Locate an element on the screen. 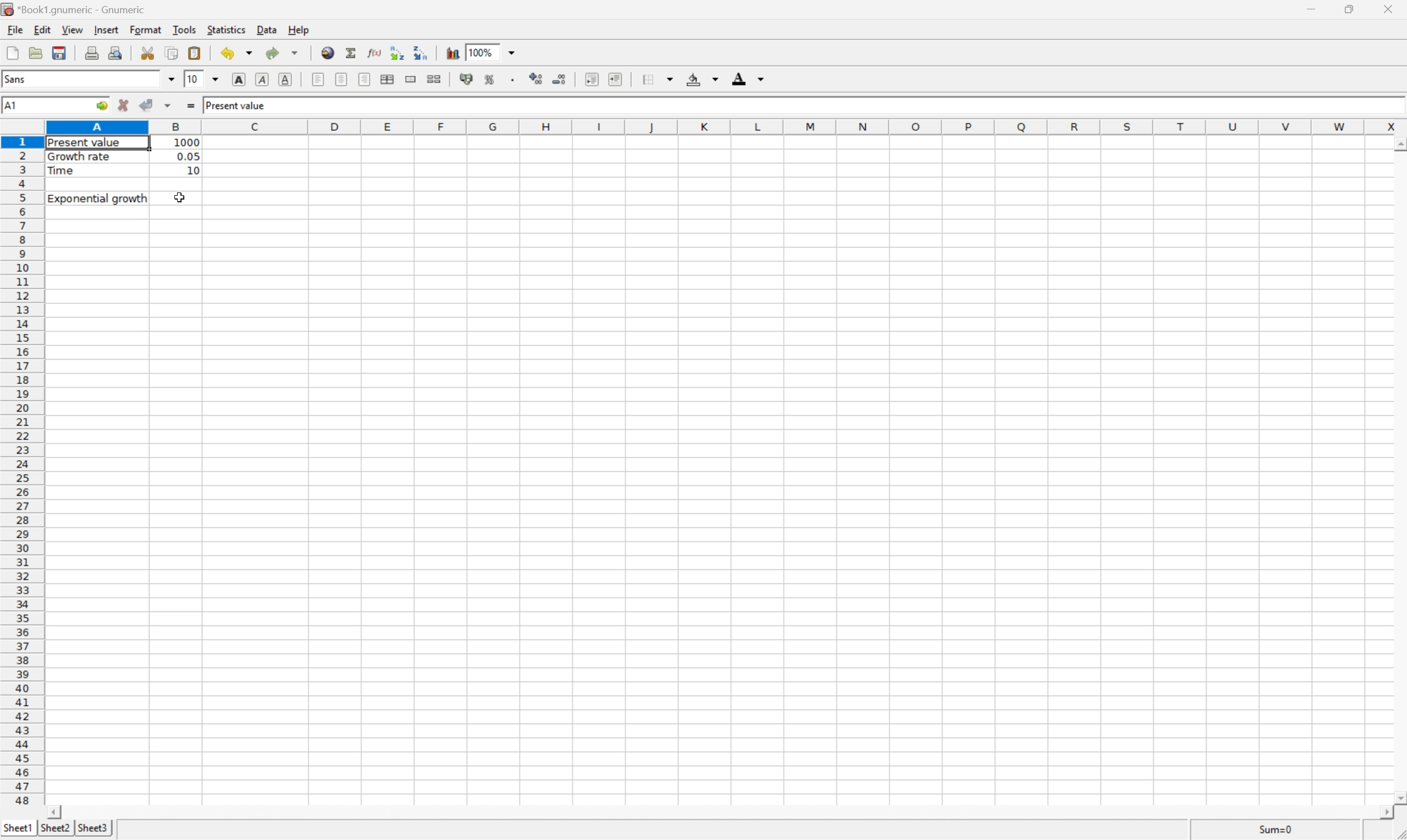  Merge ranges of cells is located at coordinates (412, 80).